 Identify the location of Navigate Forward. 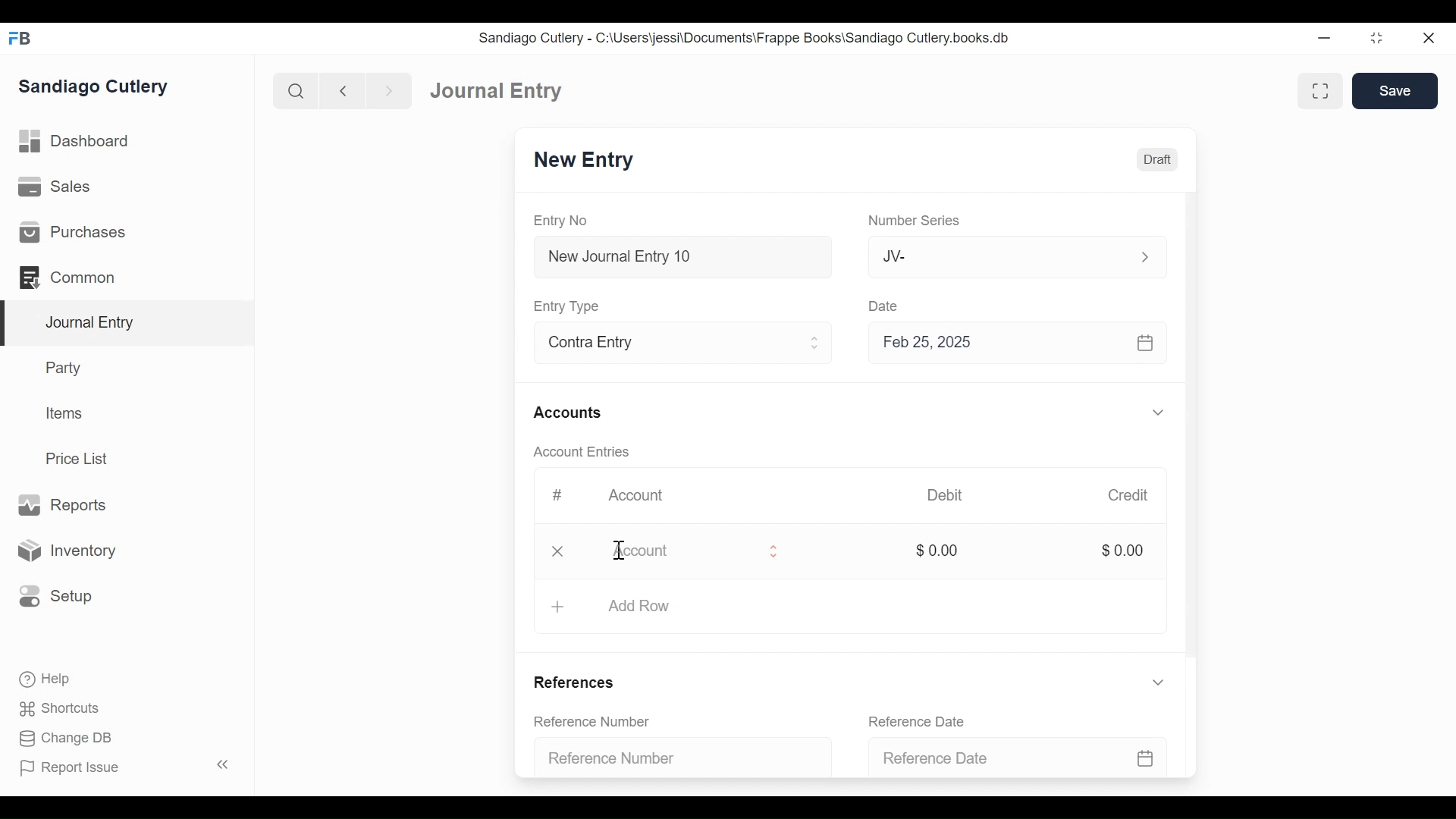
(390, 89).